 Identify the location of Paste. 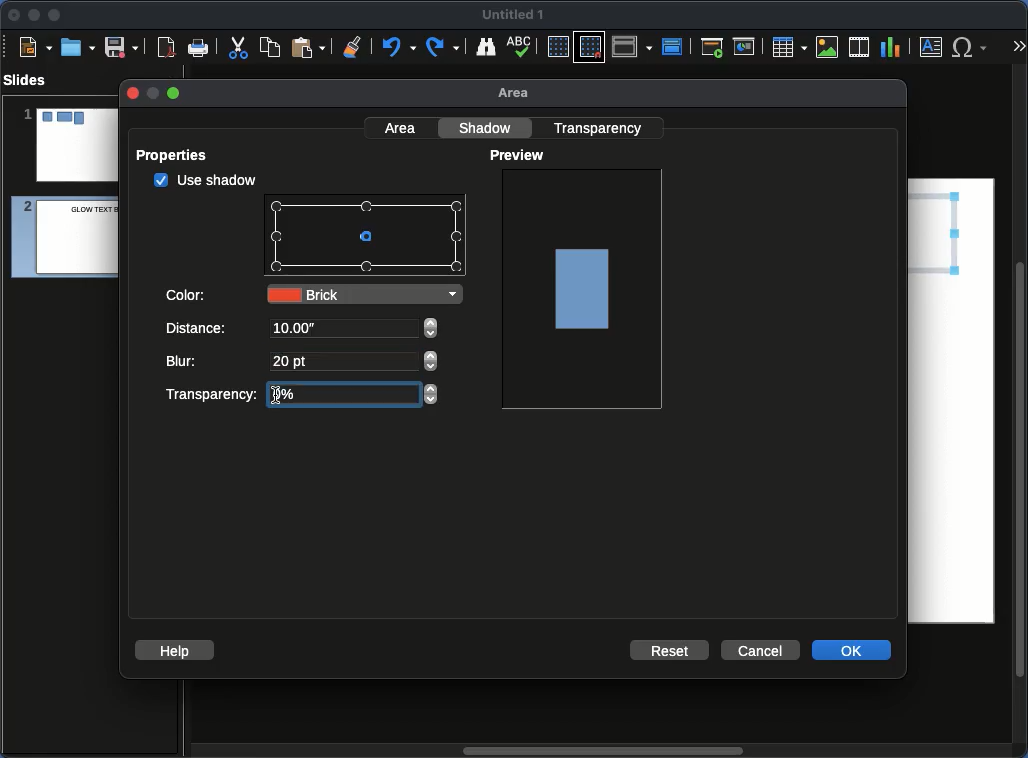
(308, 46).